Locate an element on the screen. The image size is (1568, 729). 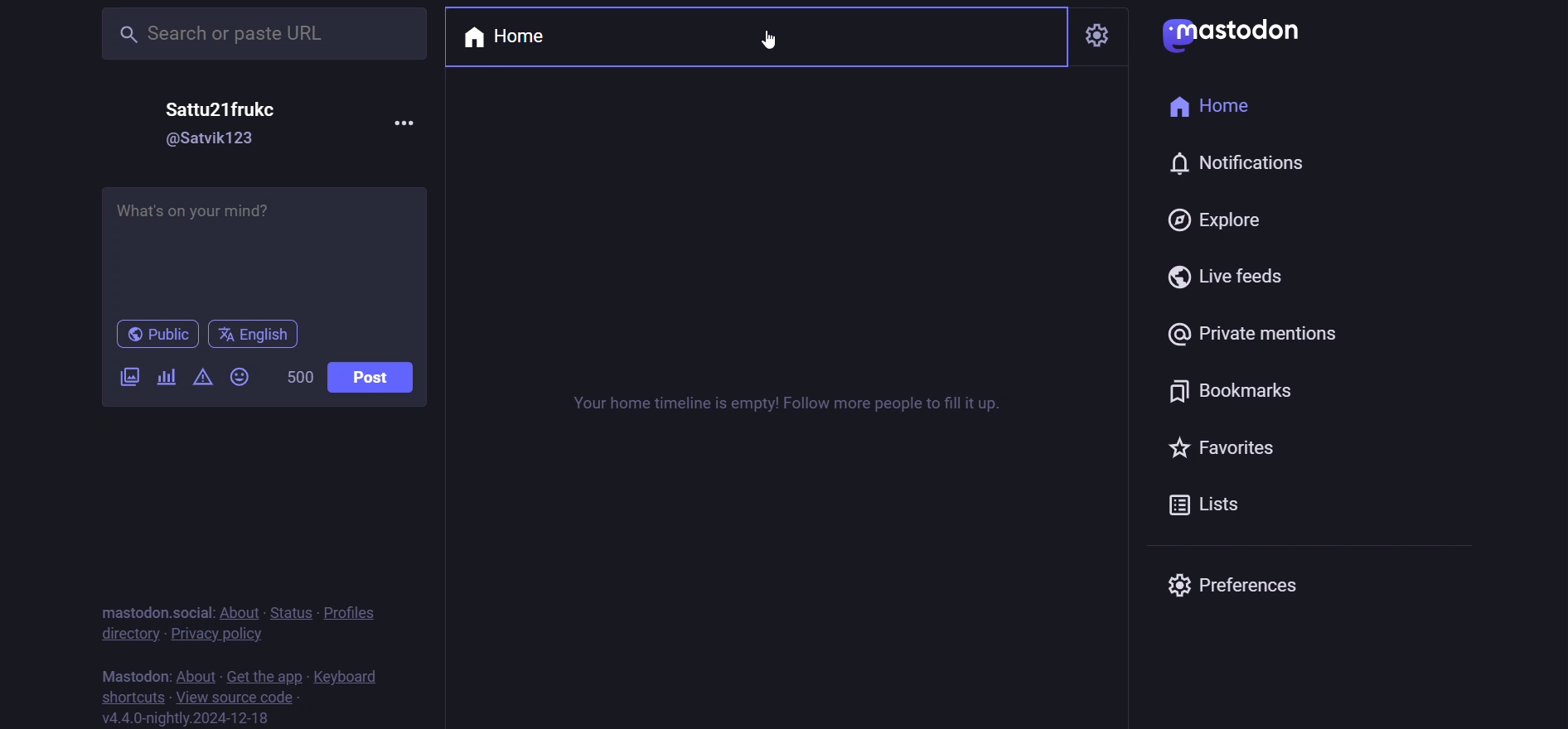
keyboard is located at coordinates (349, 676).